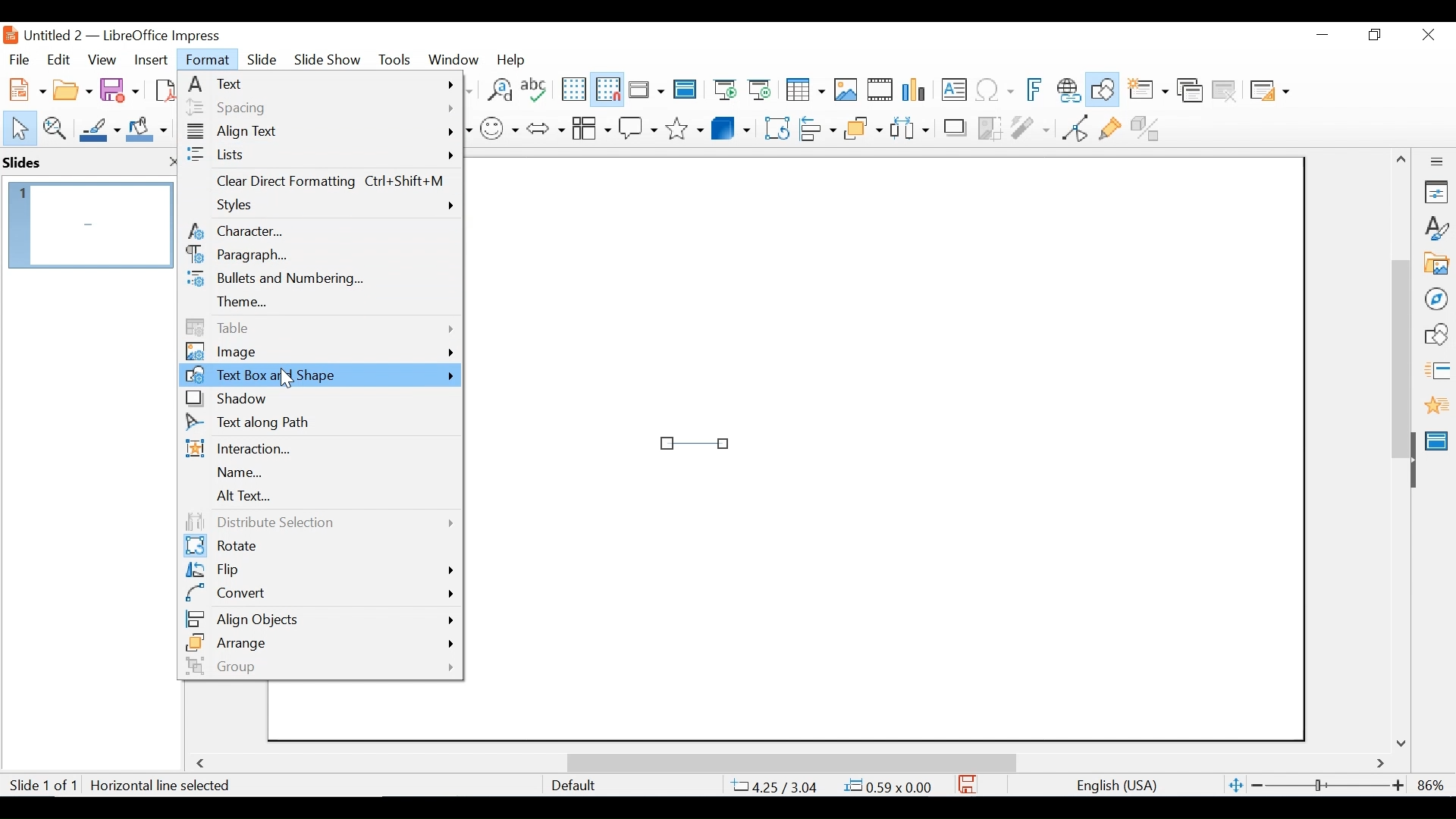 The height and width of the screenshot is (819, 1456). Describe the element at coordinates (804, 90) in the screenshot. I see `Table` at that location.